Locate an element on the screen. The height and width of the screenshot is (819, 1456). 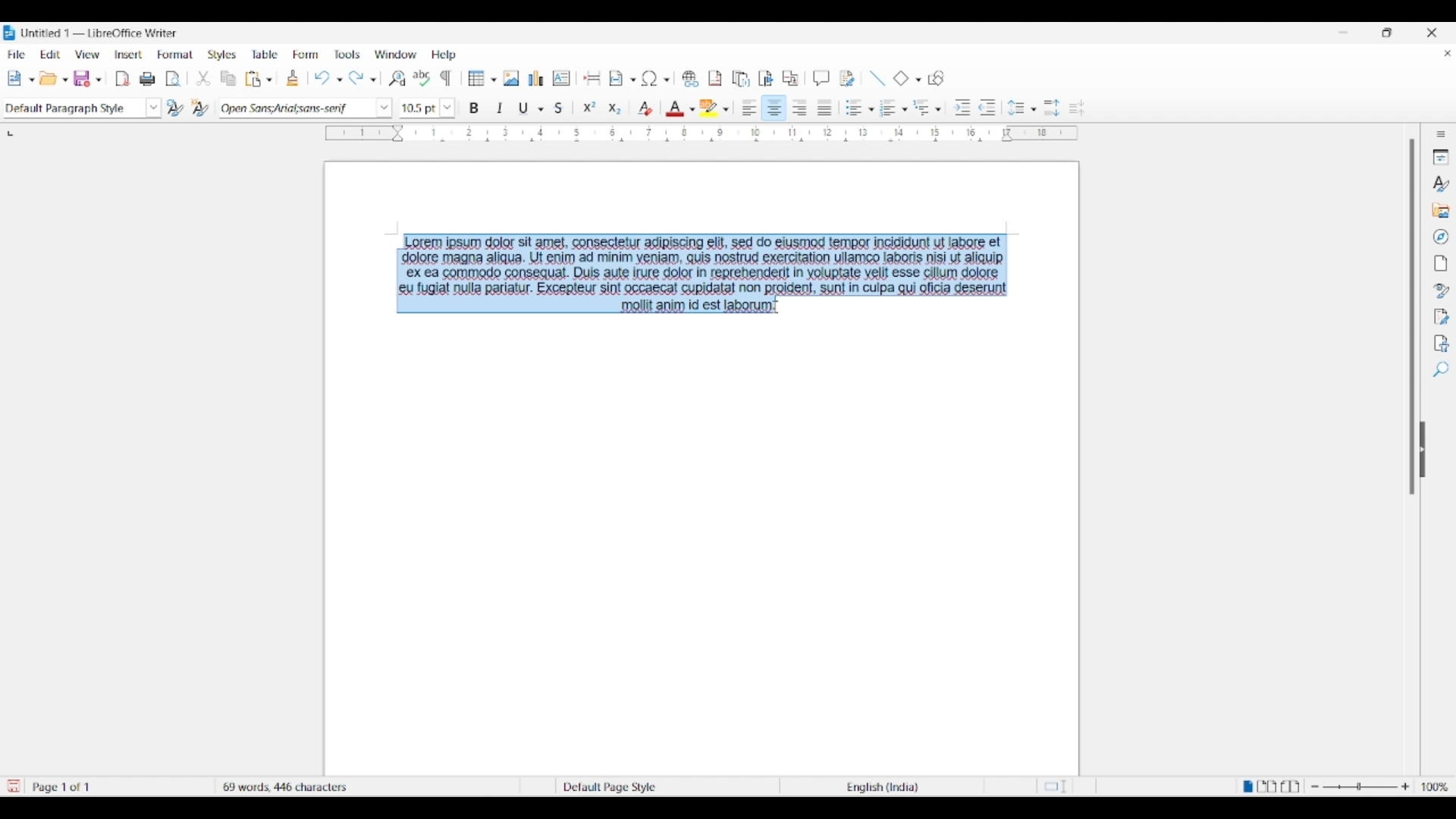
Insert bookmark is located at coordinates (766, 78).